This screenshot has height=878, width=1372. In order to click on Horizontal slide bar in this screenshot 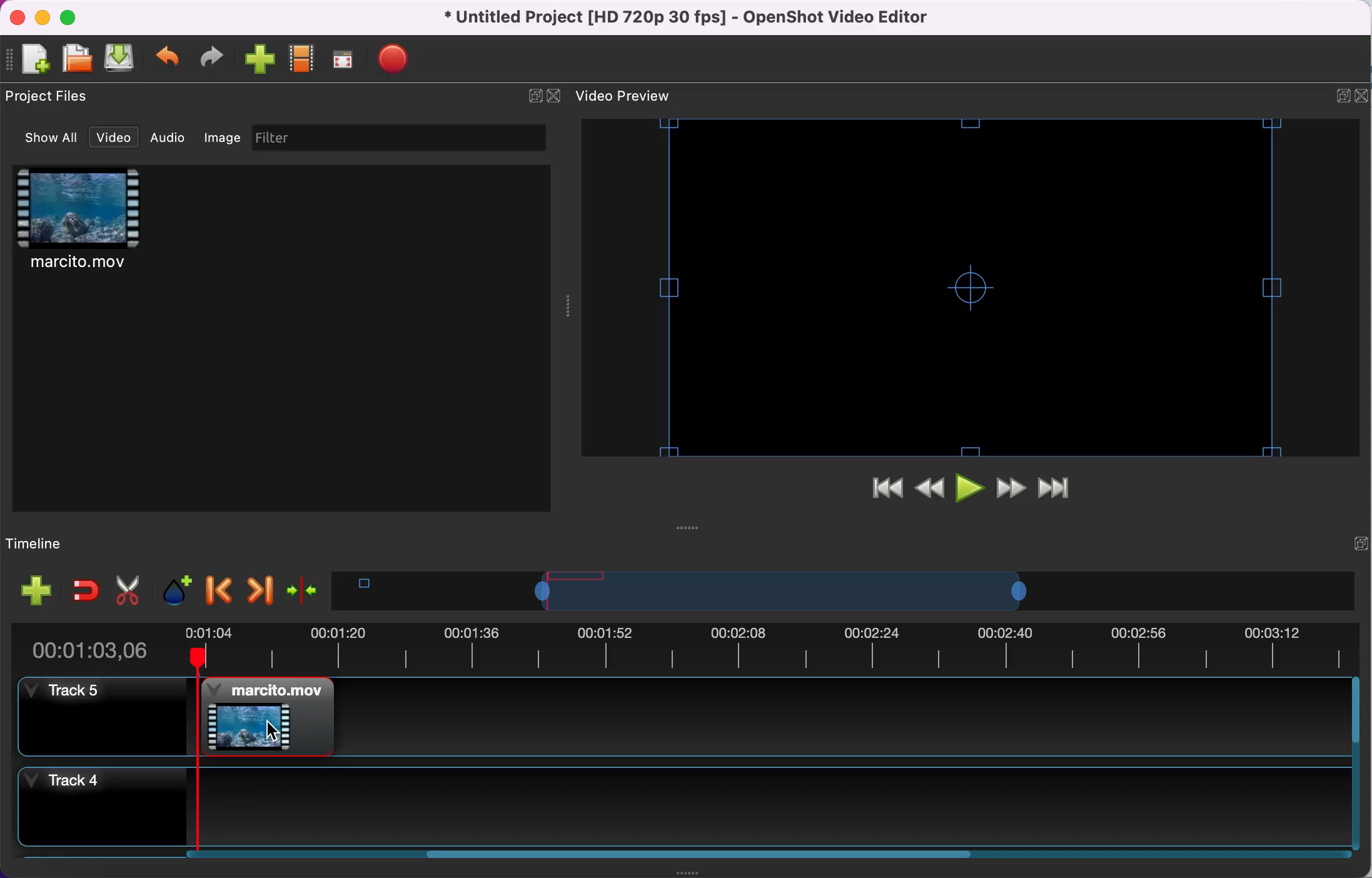, I will do `click(699, 855)`.